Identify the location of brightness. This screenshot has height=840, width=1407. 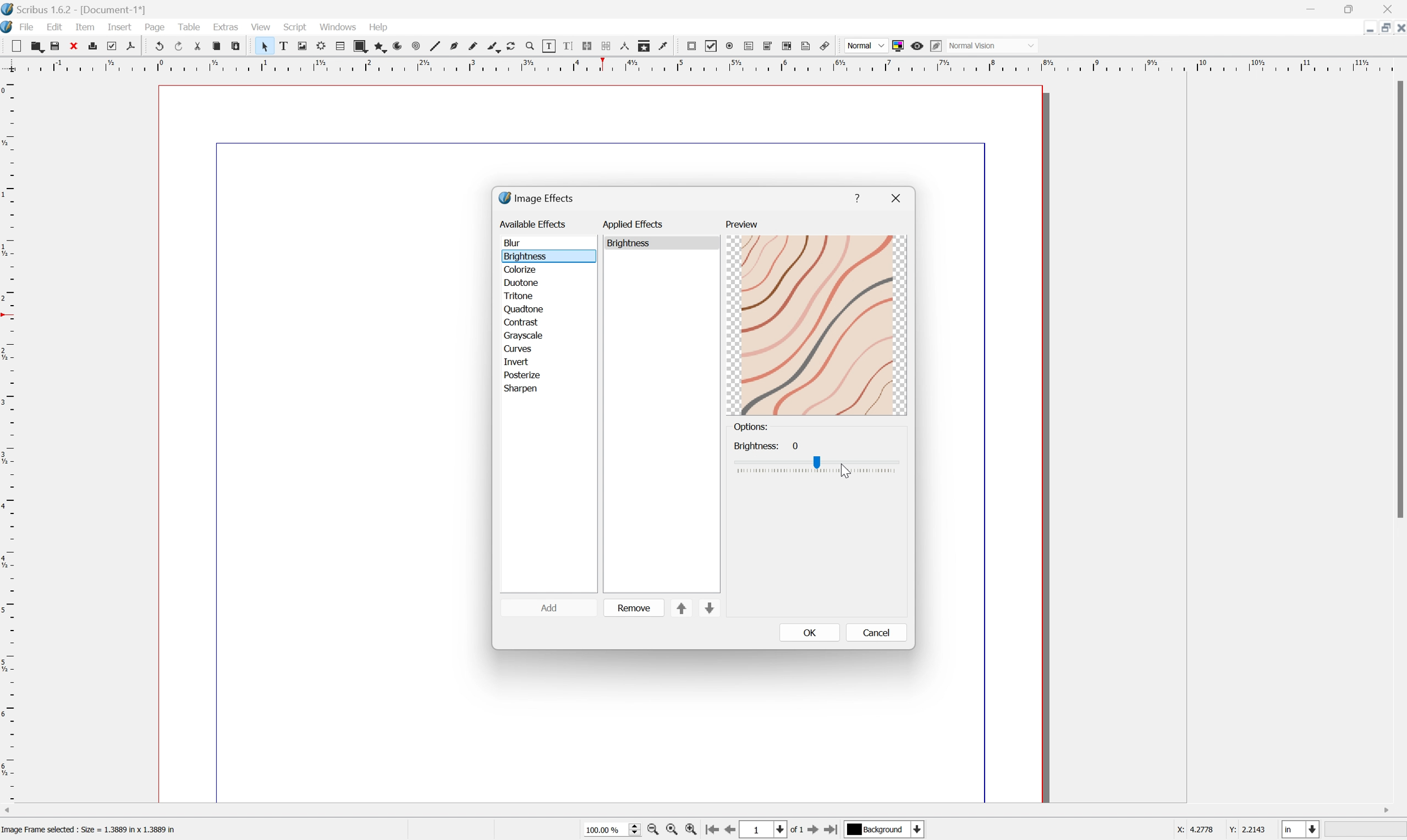
(631, 243).